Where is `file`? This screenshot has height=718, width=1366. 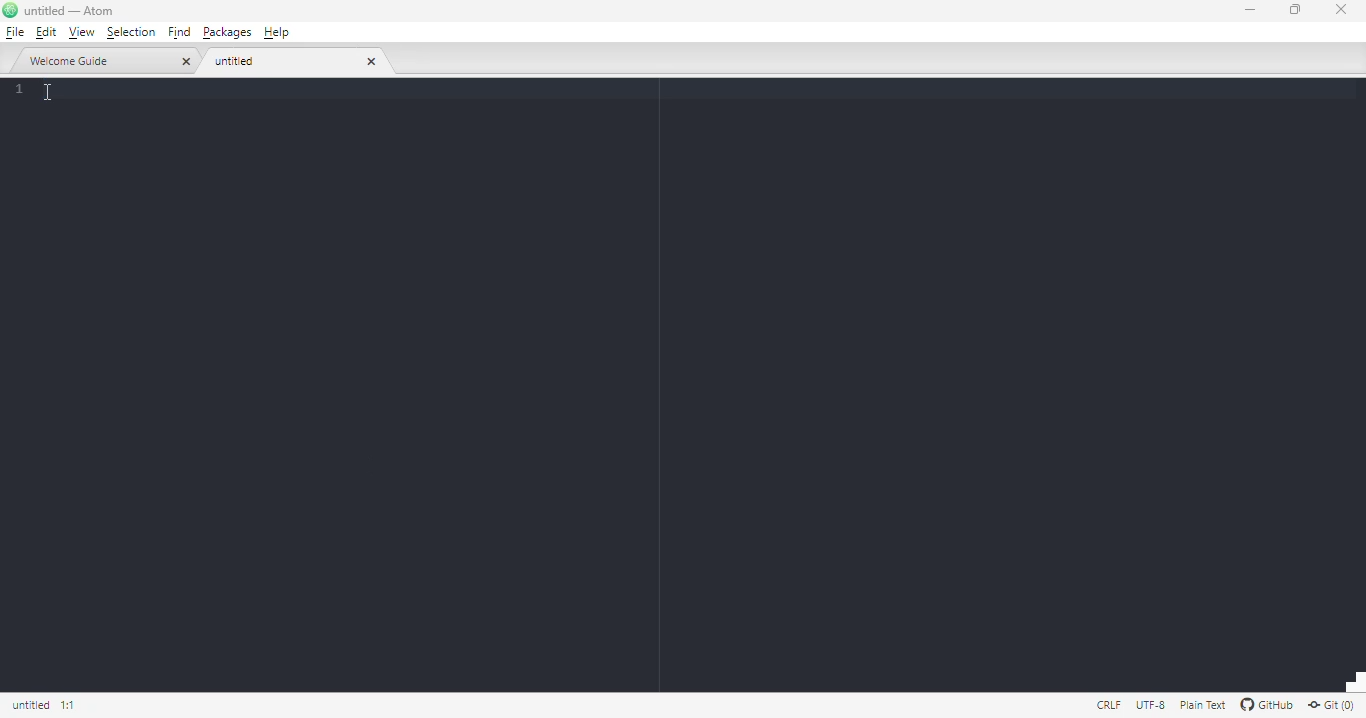 file is located at coordinates (13, 32).